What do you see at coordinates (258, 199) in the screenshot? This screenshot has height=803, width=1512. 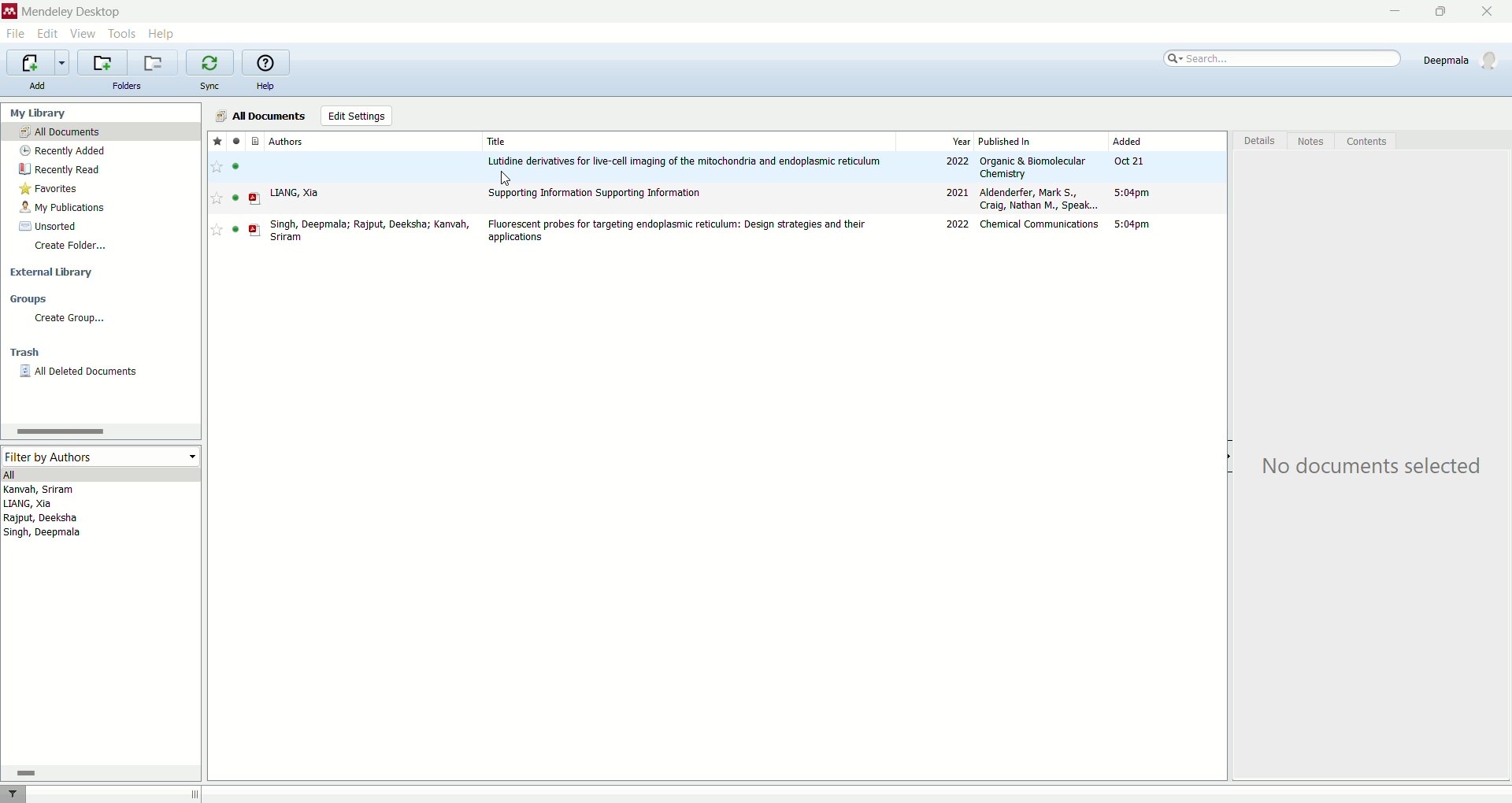 I see `PDF` at bounding box center [258, 199].